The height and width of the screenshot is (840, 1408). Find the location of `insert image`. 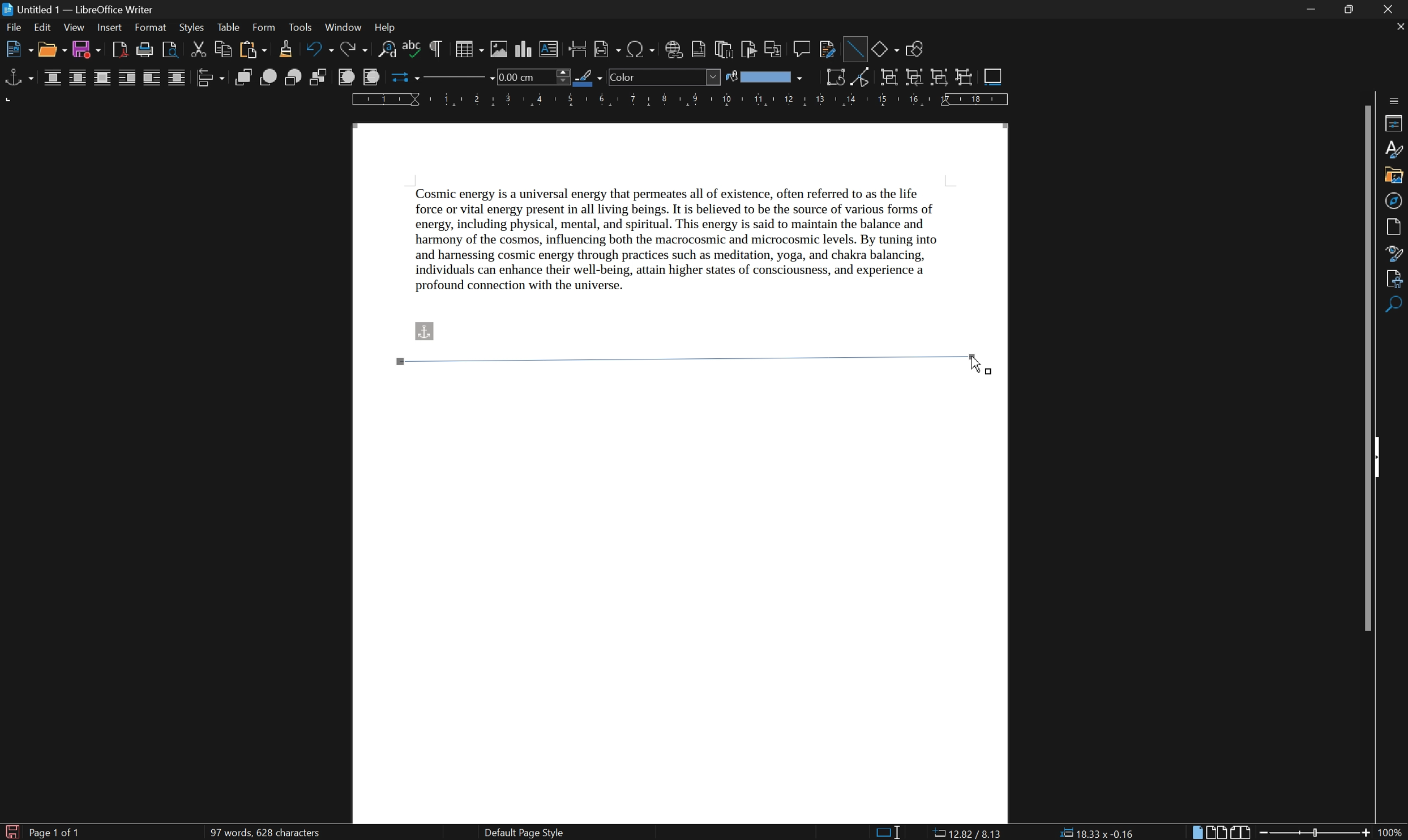

insert image is located at coordinates (500, 49).